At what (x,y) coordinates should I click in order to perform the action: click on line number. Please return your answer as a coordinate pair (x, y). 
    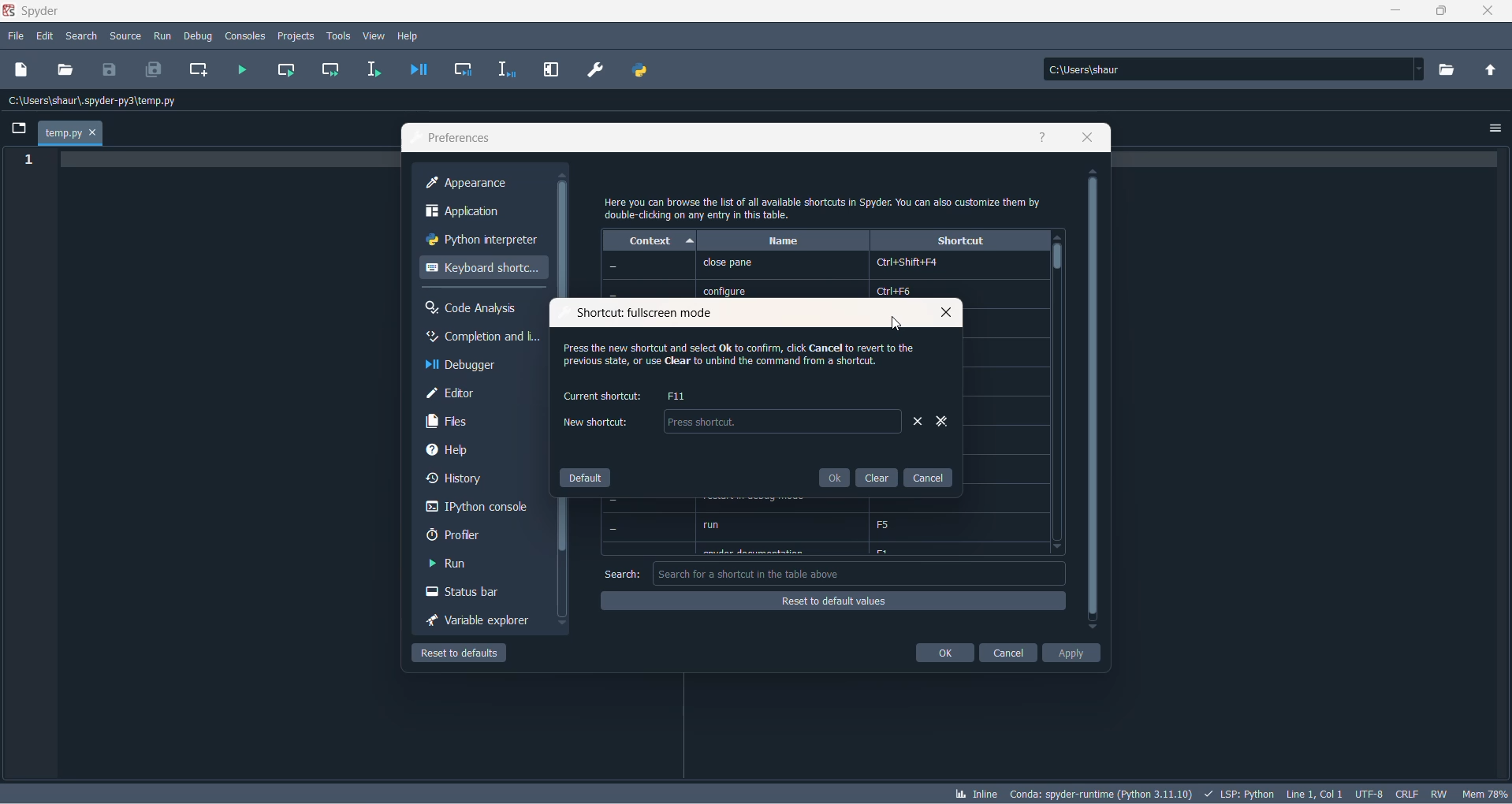
    Looking at the image, I should click on (32, 161).